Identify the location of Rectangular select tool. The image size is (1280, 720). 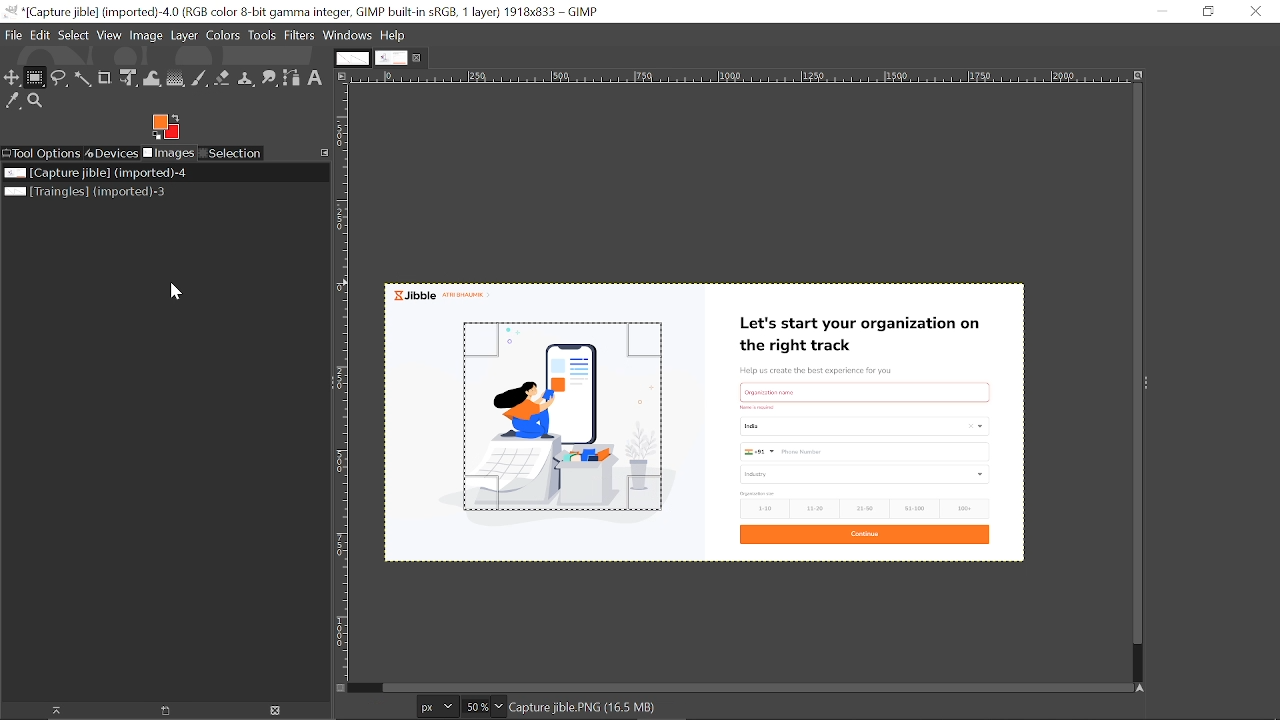
(36, 79).